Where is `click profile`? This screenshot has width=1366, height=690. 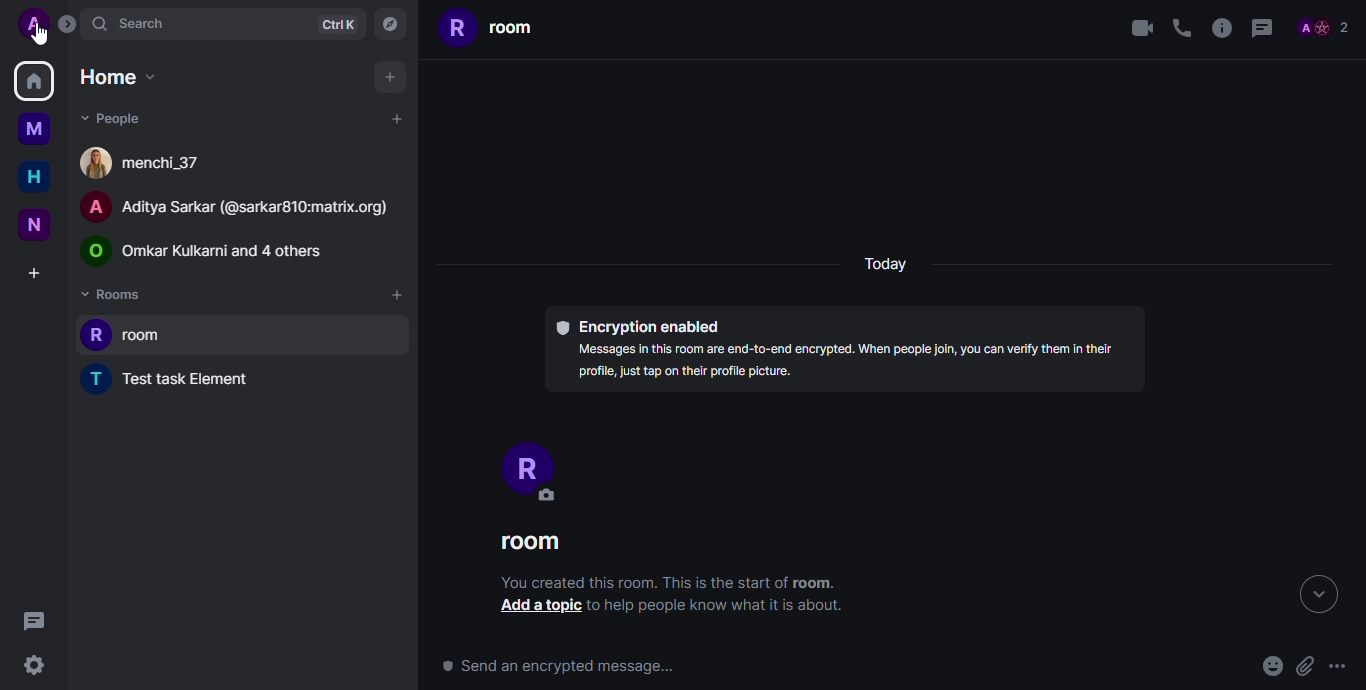
click profile is located at coordinates (35, 24).